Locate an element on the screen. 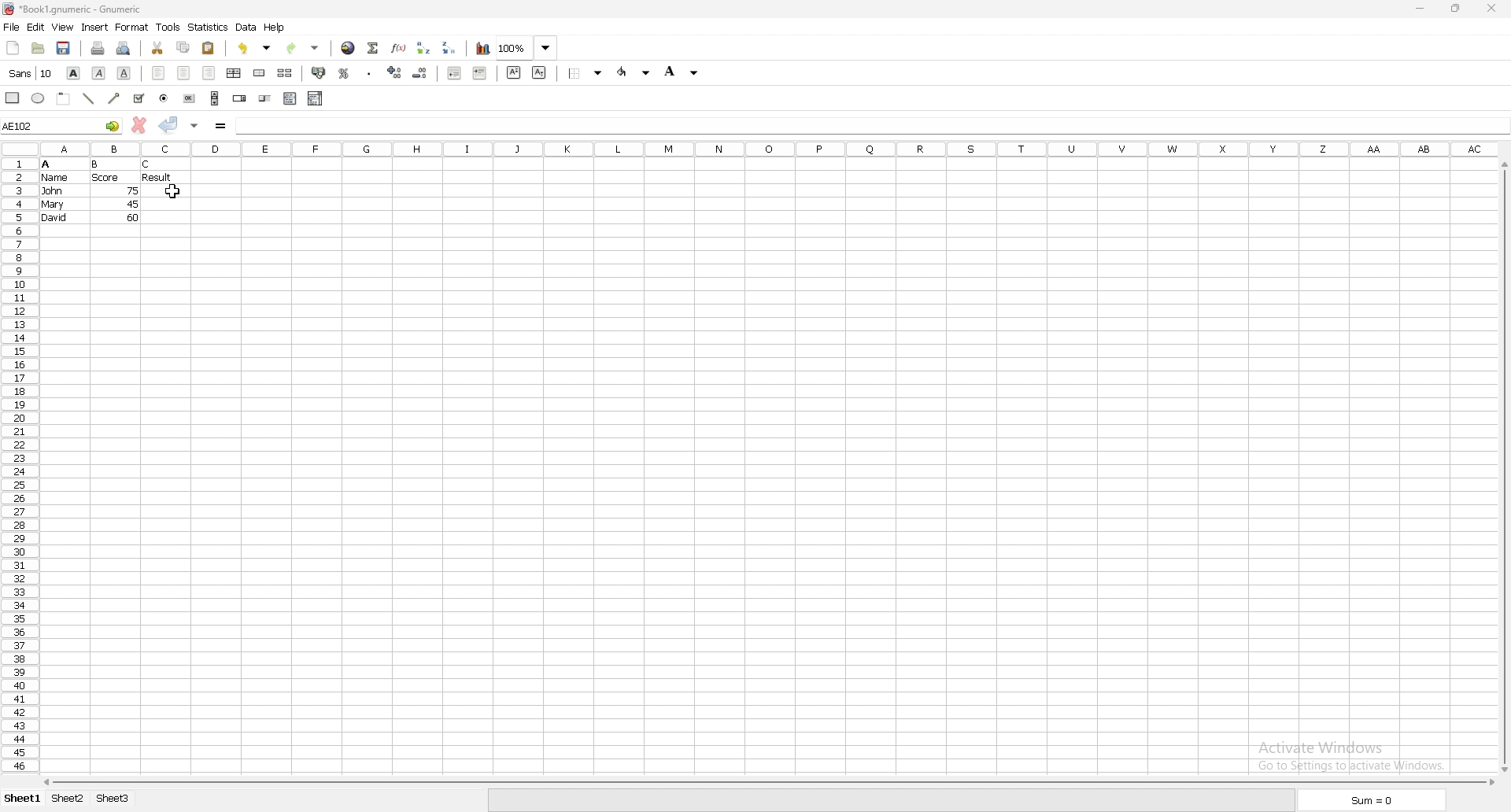 This screenshot has height=812, width=1511. thousand separator is located at coordinates (371, 74).